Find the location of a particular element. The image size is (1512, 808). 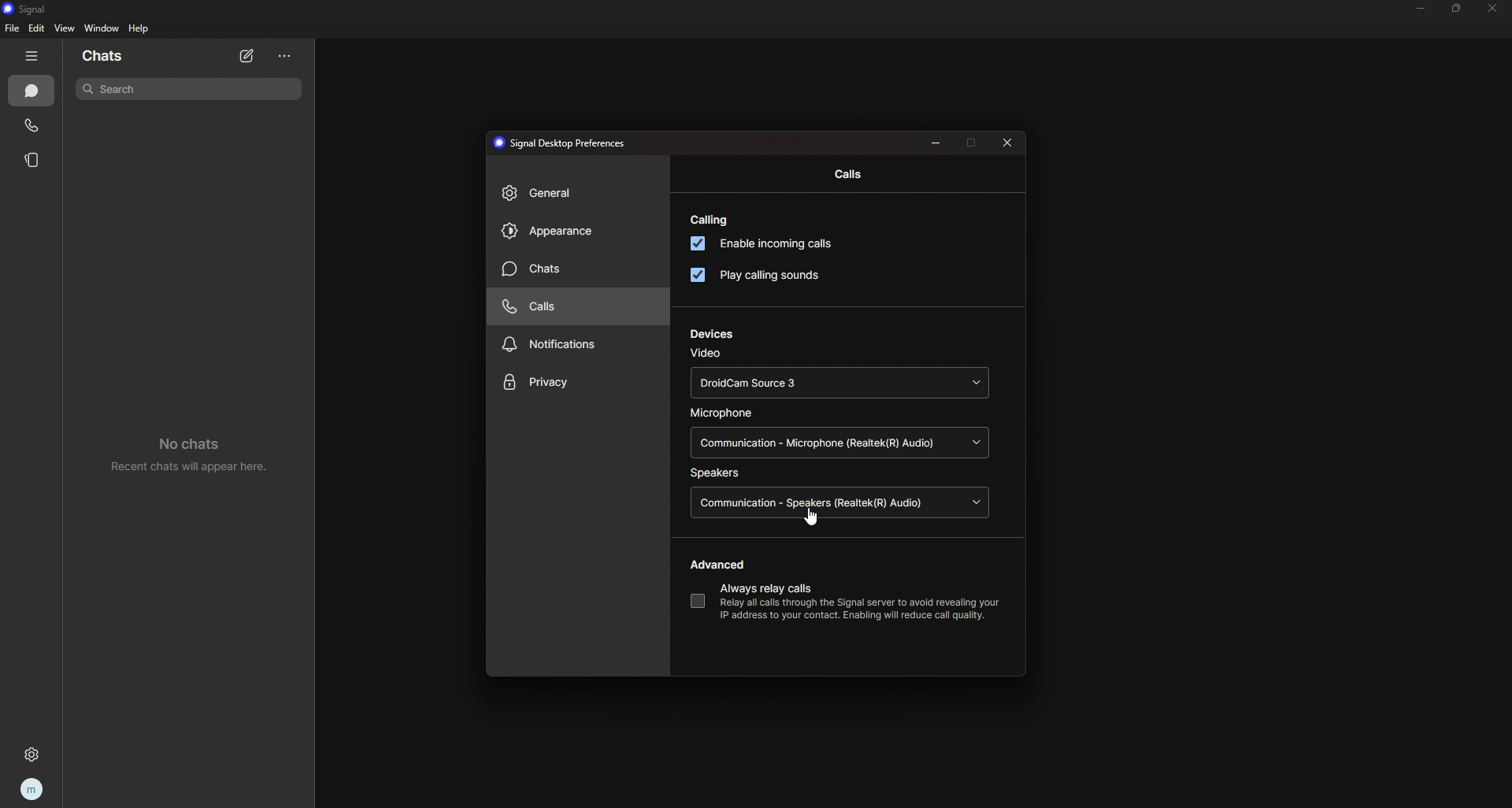

privacy is located at coordinates (576, 384).